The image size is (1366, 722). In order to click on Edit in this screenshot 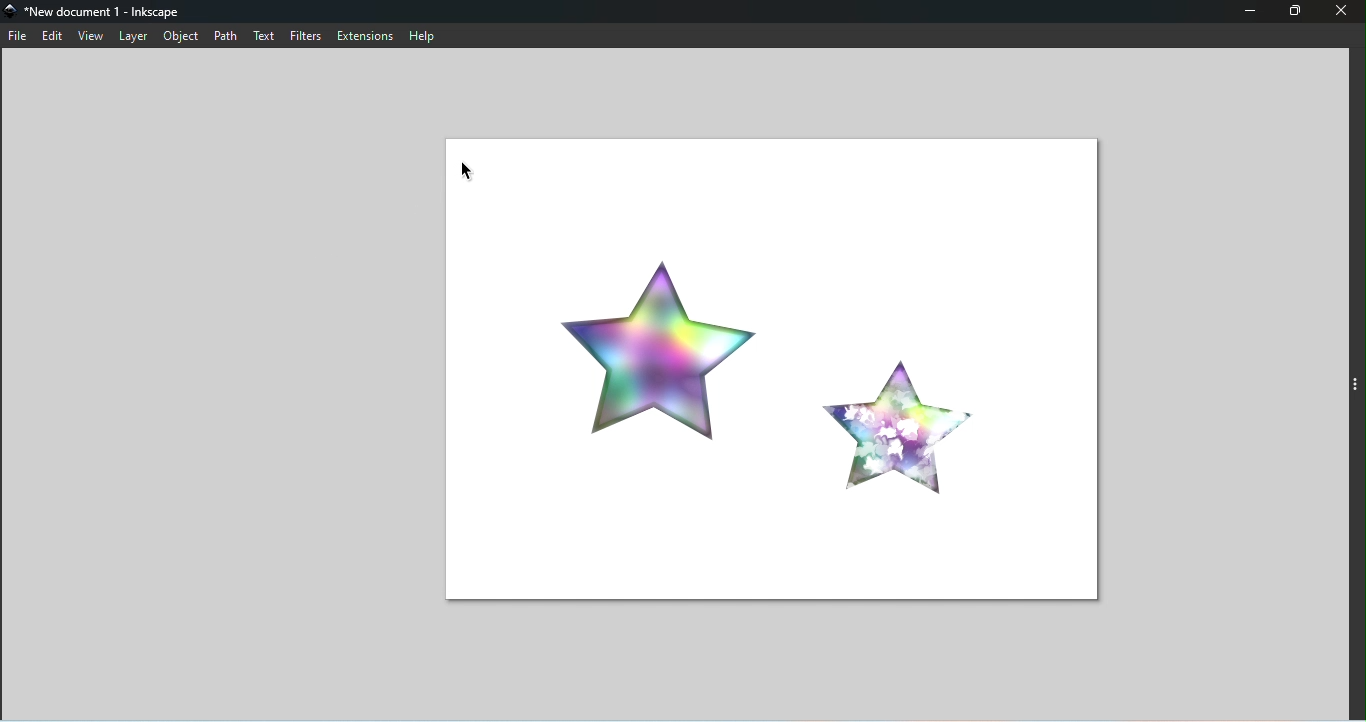, I will do `click(52, 36)`.